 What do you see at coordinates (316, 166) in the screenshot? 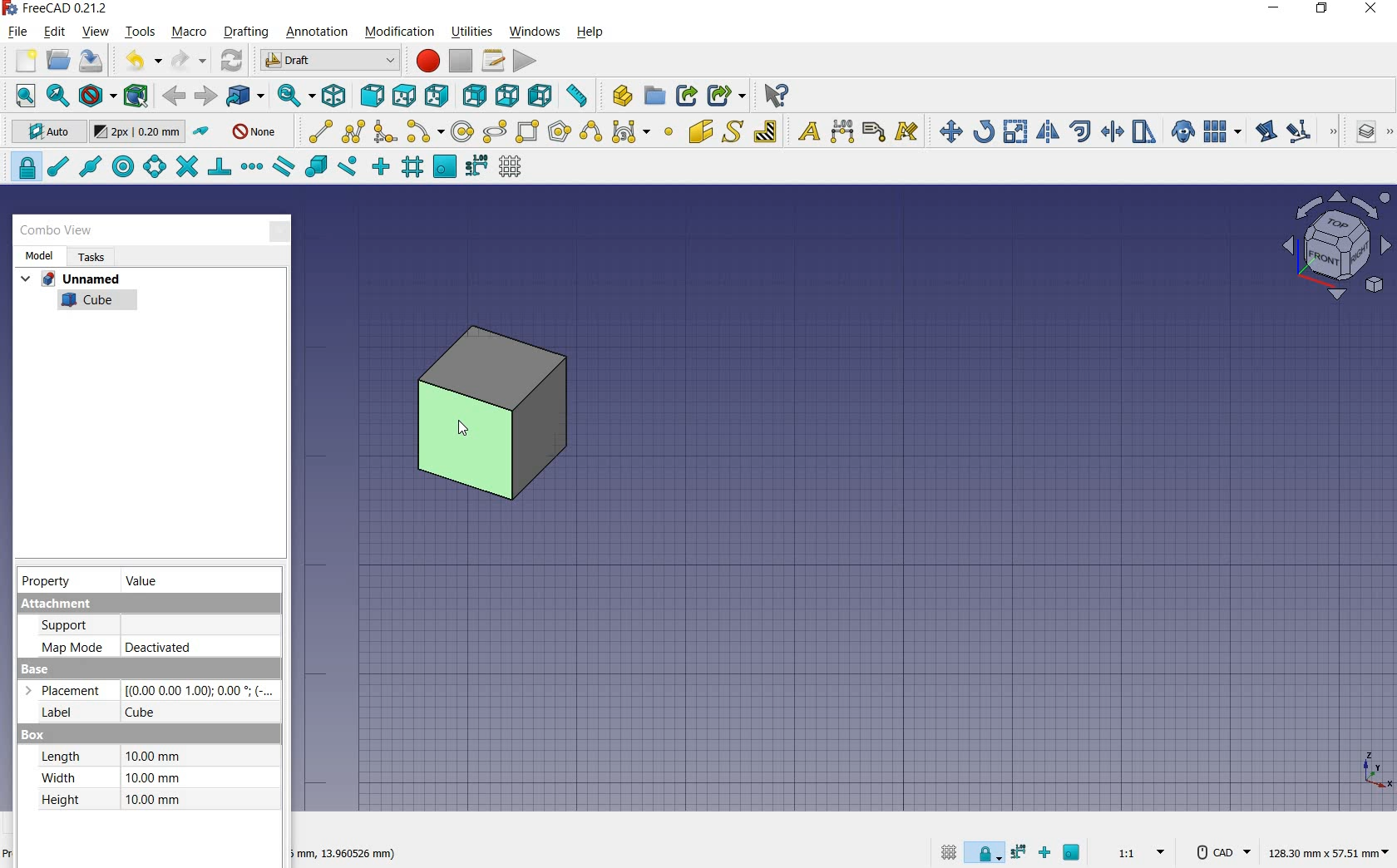
I see `snap special` at bounding box center [316, 166].